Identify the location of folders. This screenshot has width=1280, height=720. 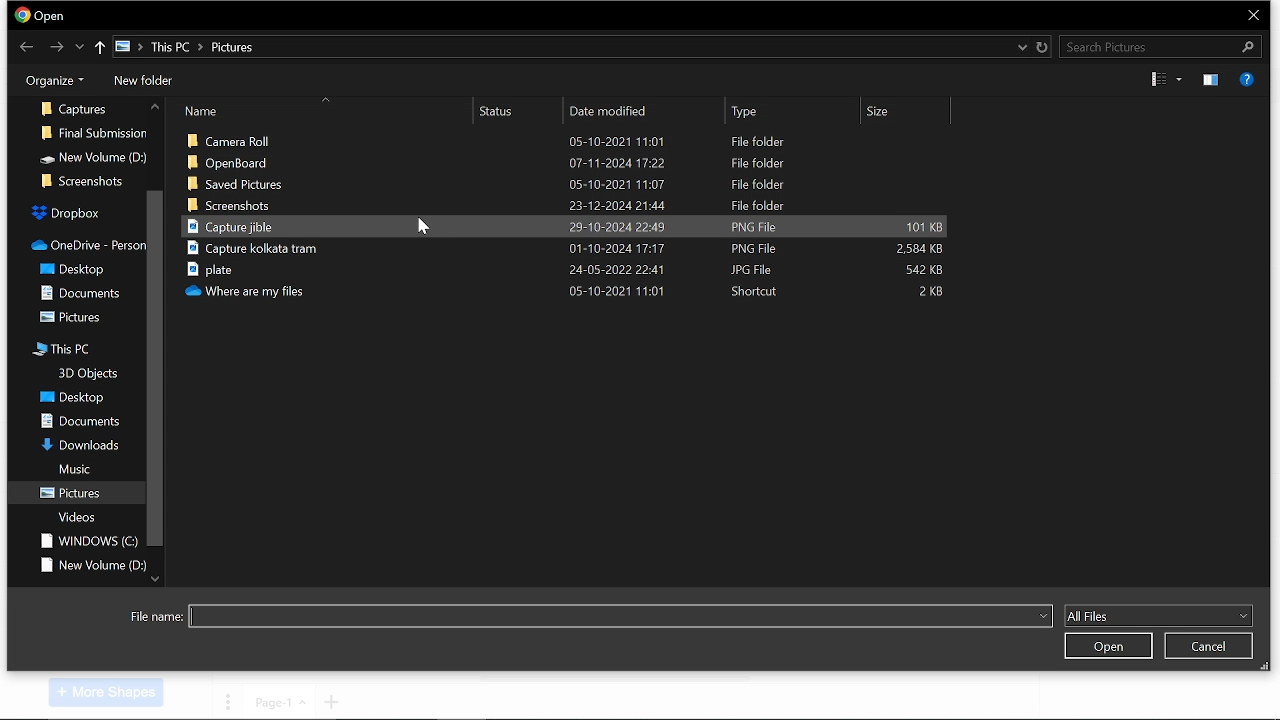
(85, 371).